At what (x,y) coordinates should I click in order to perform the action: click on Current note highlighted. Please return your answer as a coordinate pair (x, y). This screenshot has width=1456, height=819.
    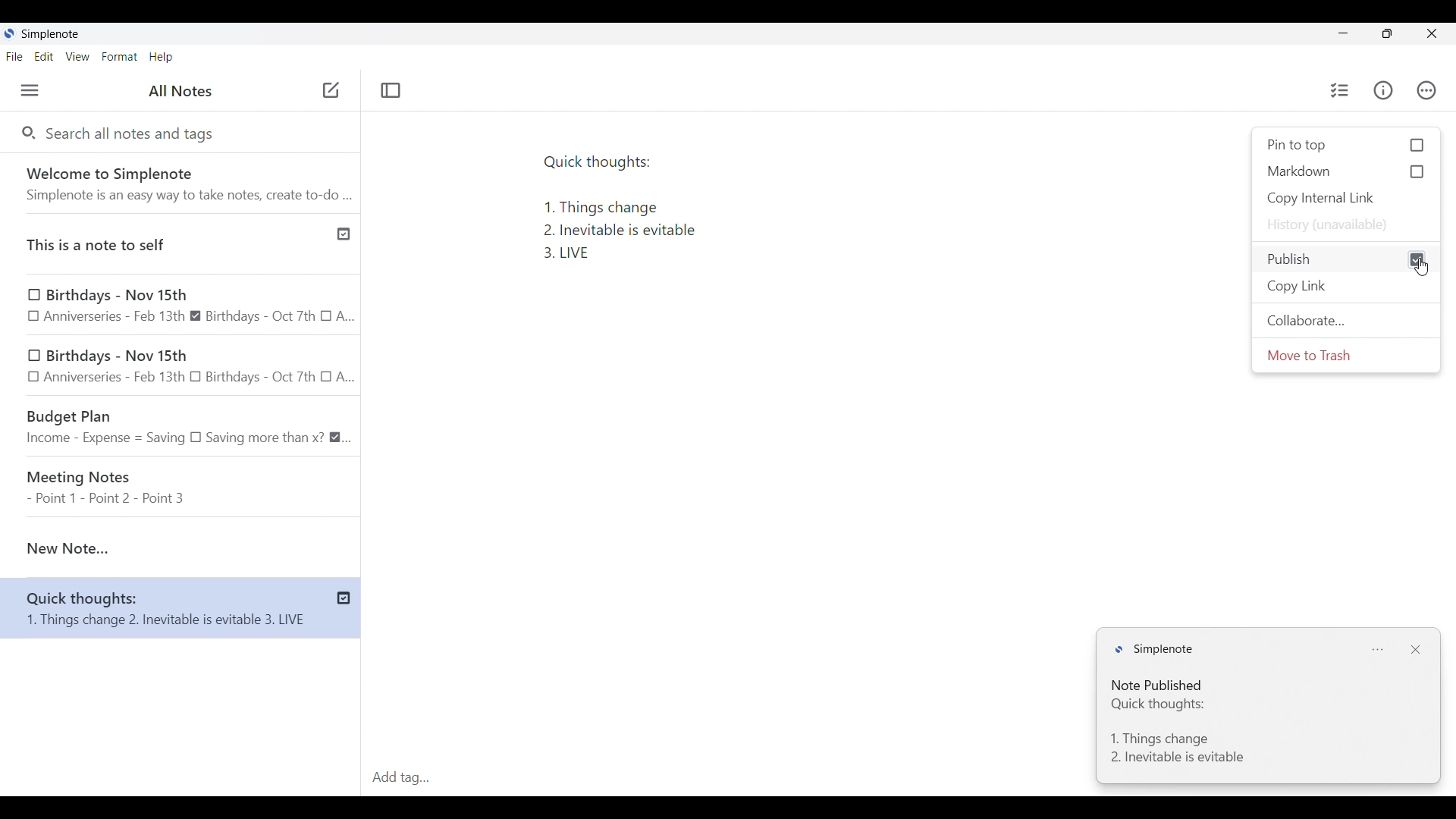
    Looking at the image, I should click on (183, 545).